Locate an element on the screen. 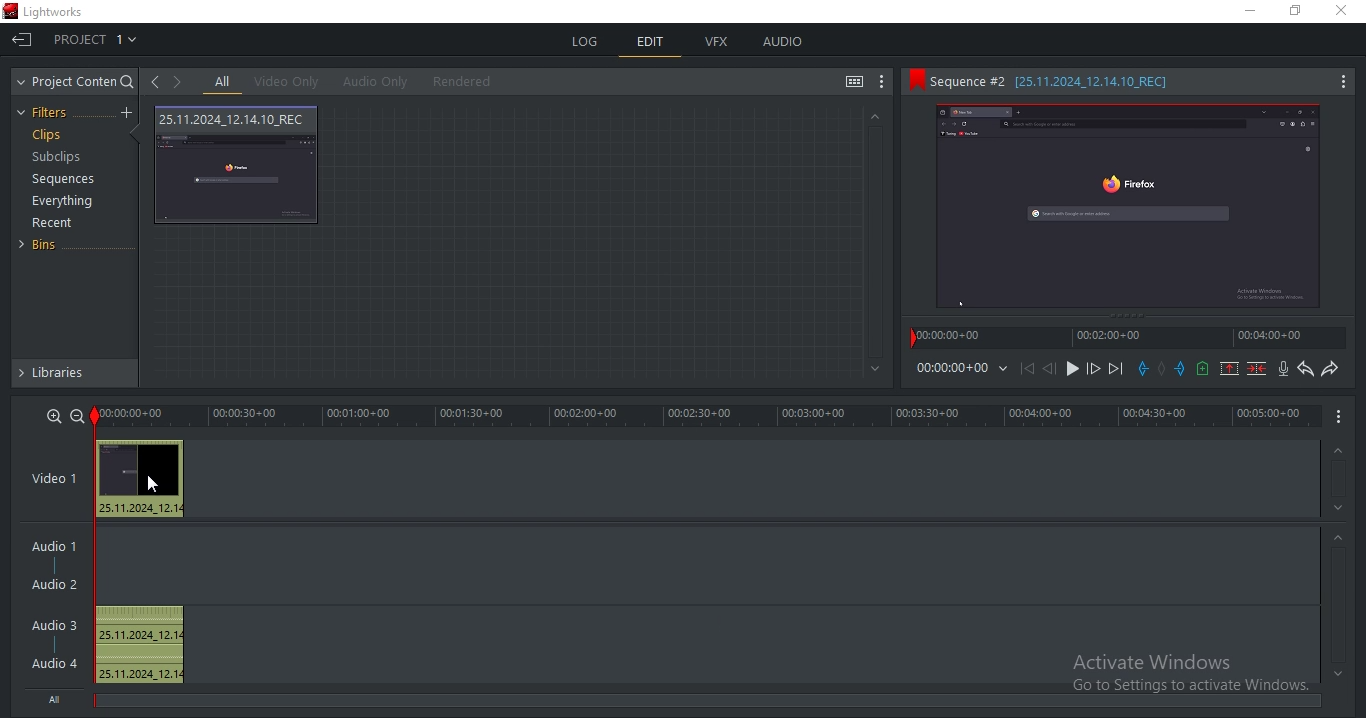 Image resolution: width=1366 pixels, height=718 pixels. audio is located at coordinates (140, 645).